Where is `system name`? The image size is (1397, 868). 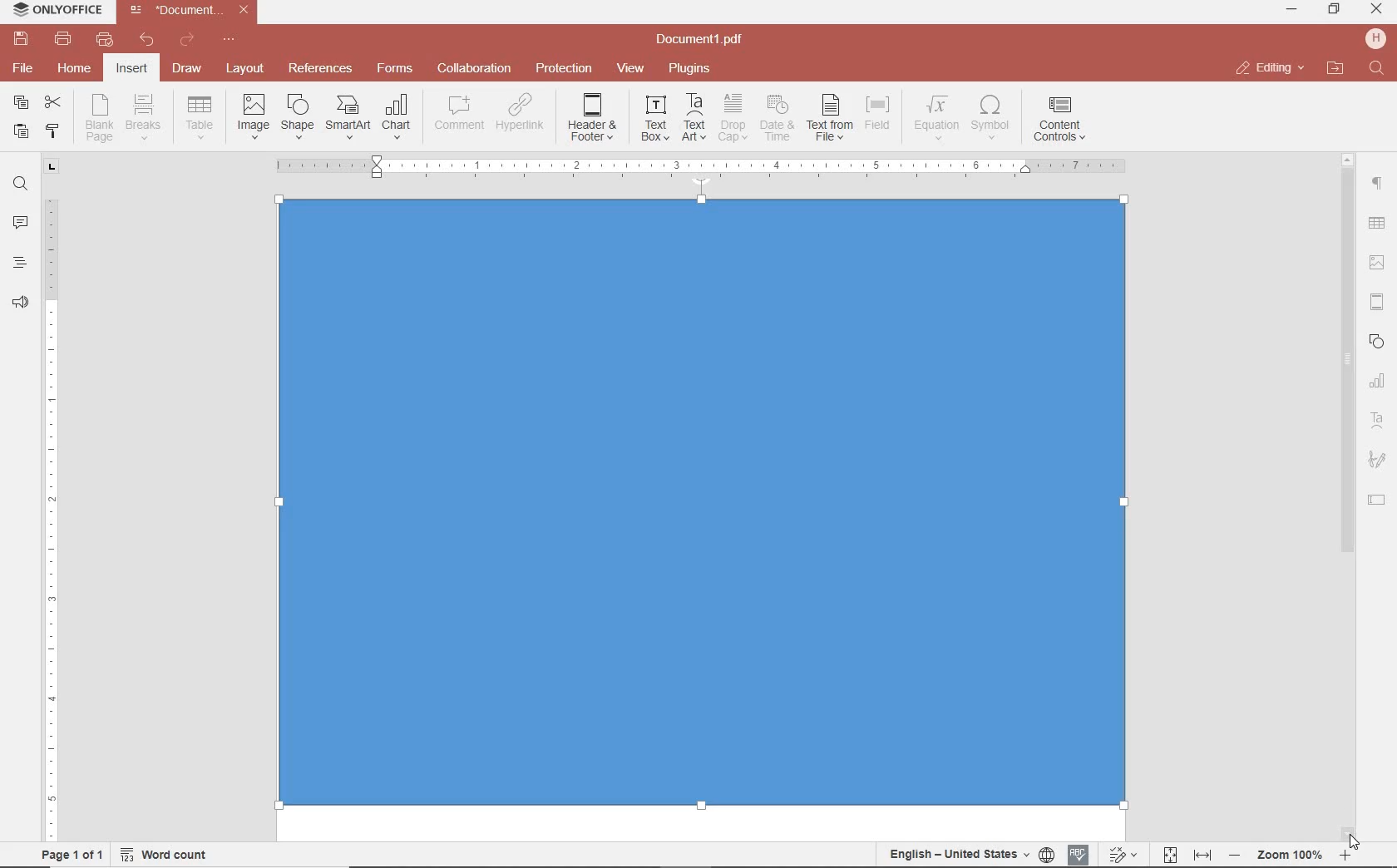 system name is located at coordinates (53, 11).